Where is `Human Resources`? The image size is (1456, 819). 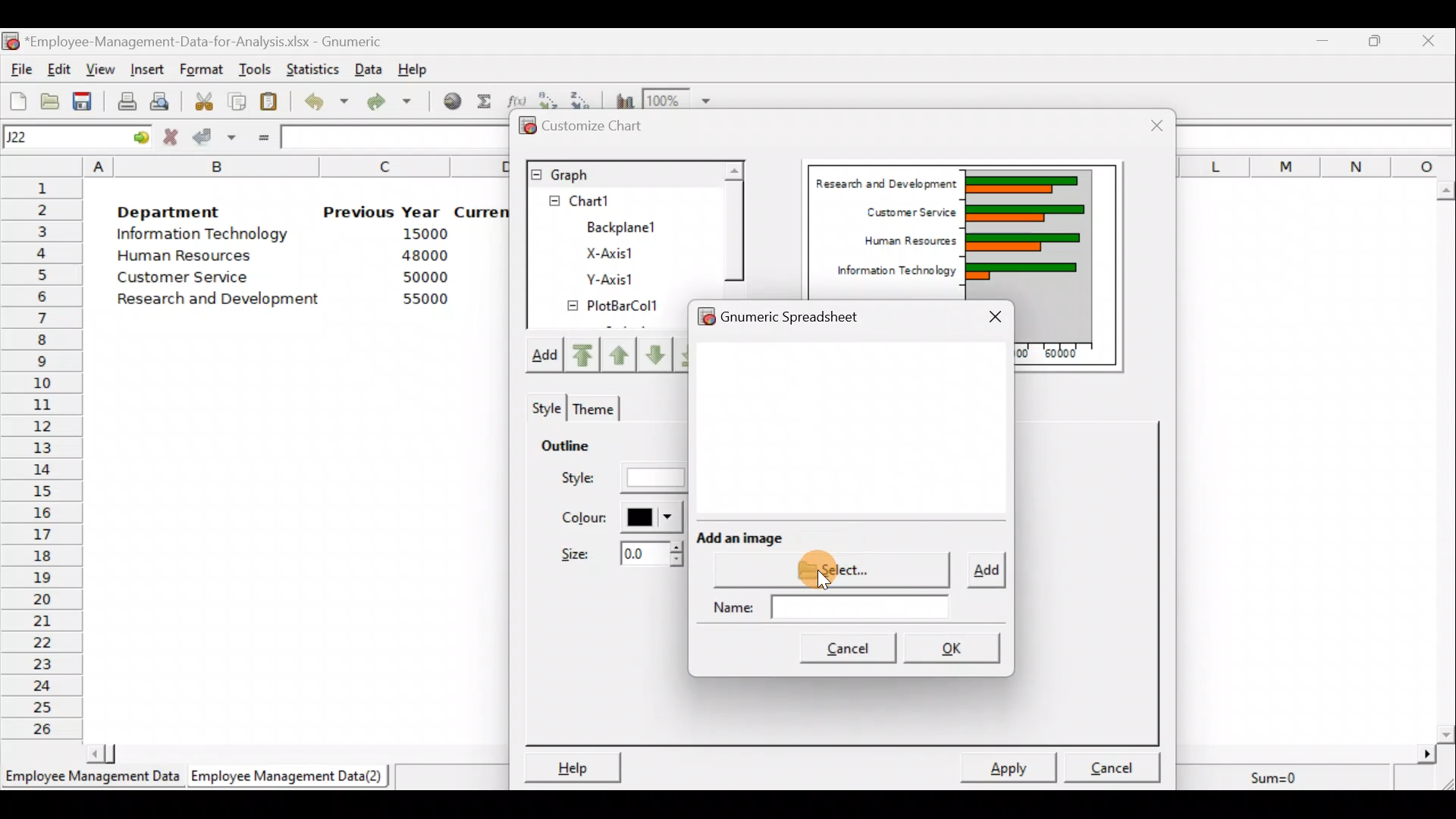
Human Resources is located at coordinates (899, 242).